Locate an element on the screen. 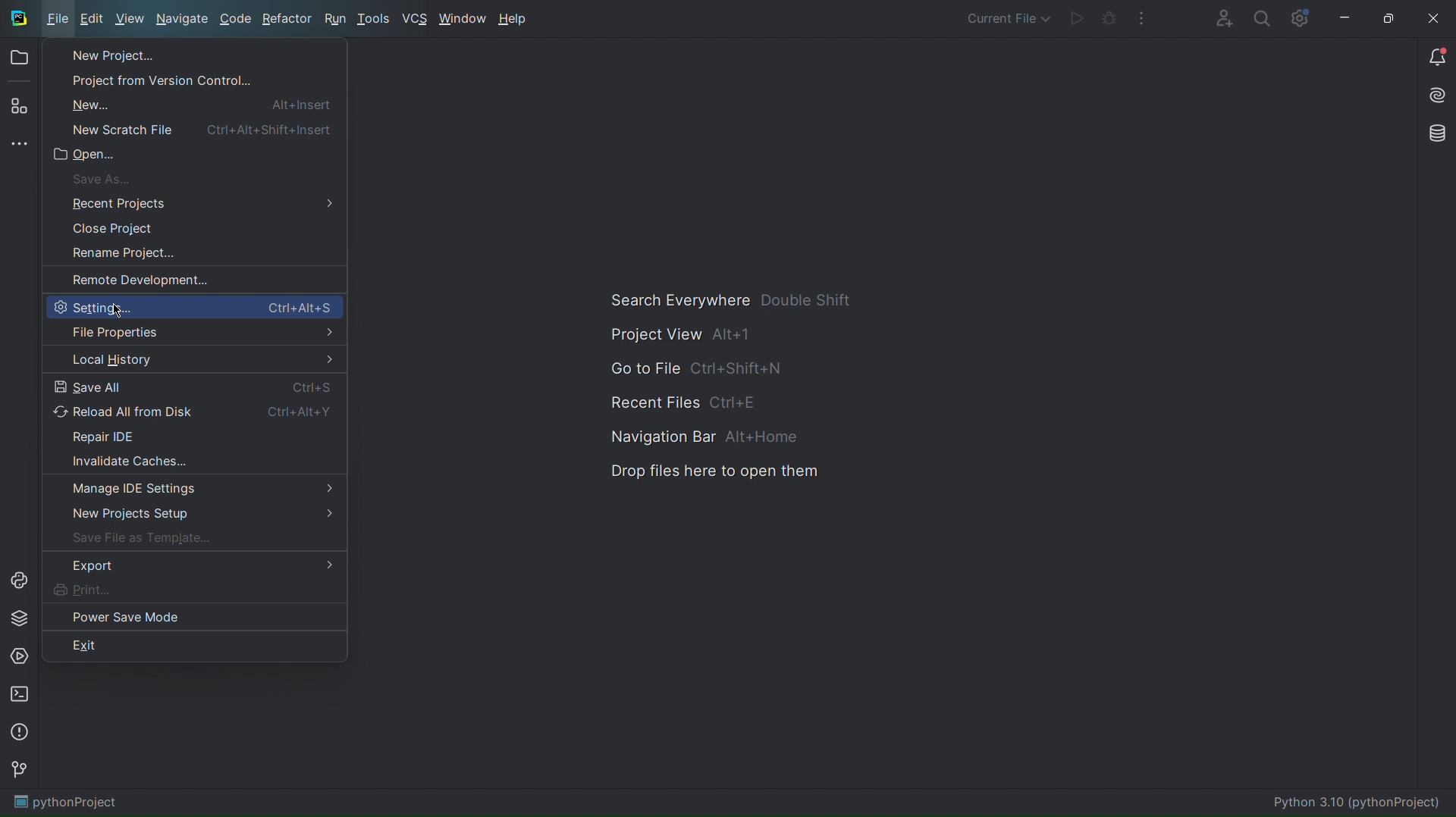 Image resolution: width=1456 pixels, height=817 pixels. Project from Version Control is located at coordinates (149, 80).